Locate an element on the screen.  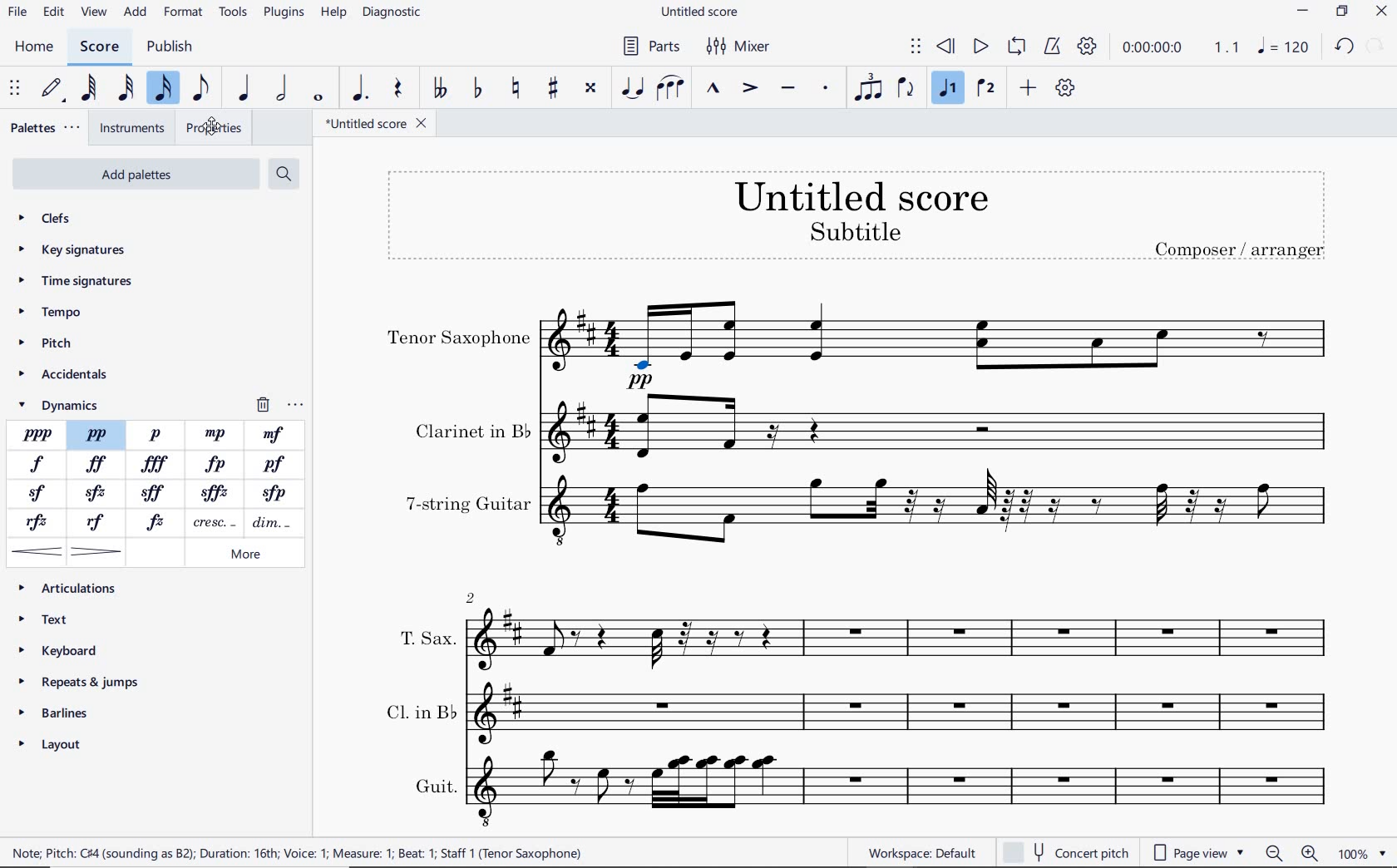
TOGGLE SHARP is located at coordinates (551, 88).